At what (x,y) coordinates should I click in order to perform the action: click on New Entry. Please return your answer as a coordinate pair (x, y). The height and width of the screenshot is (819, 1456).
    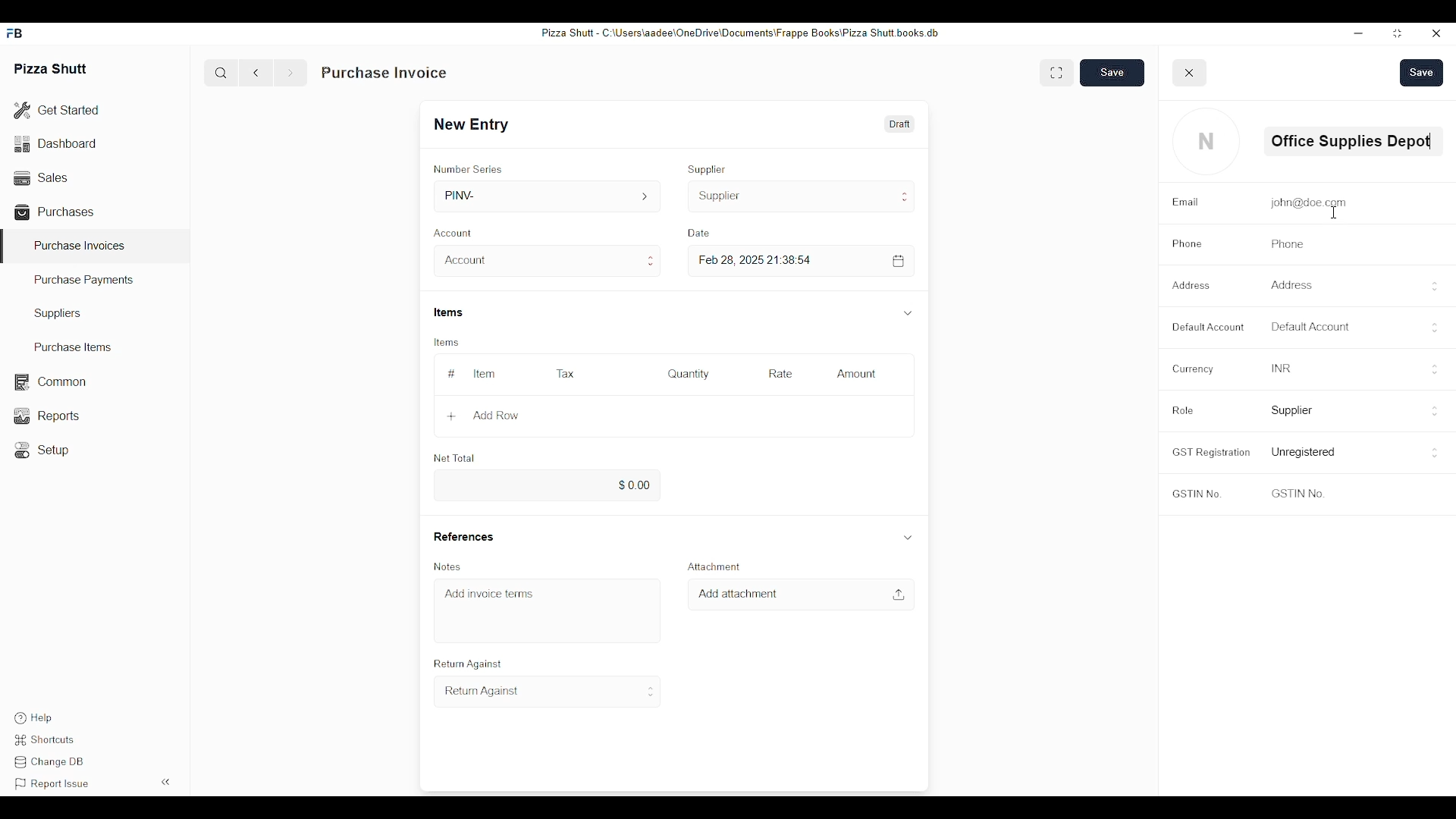
    Looking at the image, I should click on (476, 124).